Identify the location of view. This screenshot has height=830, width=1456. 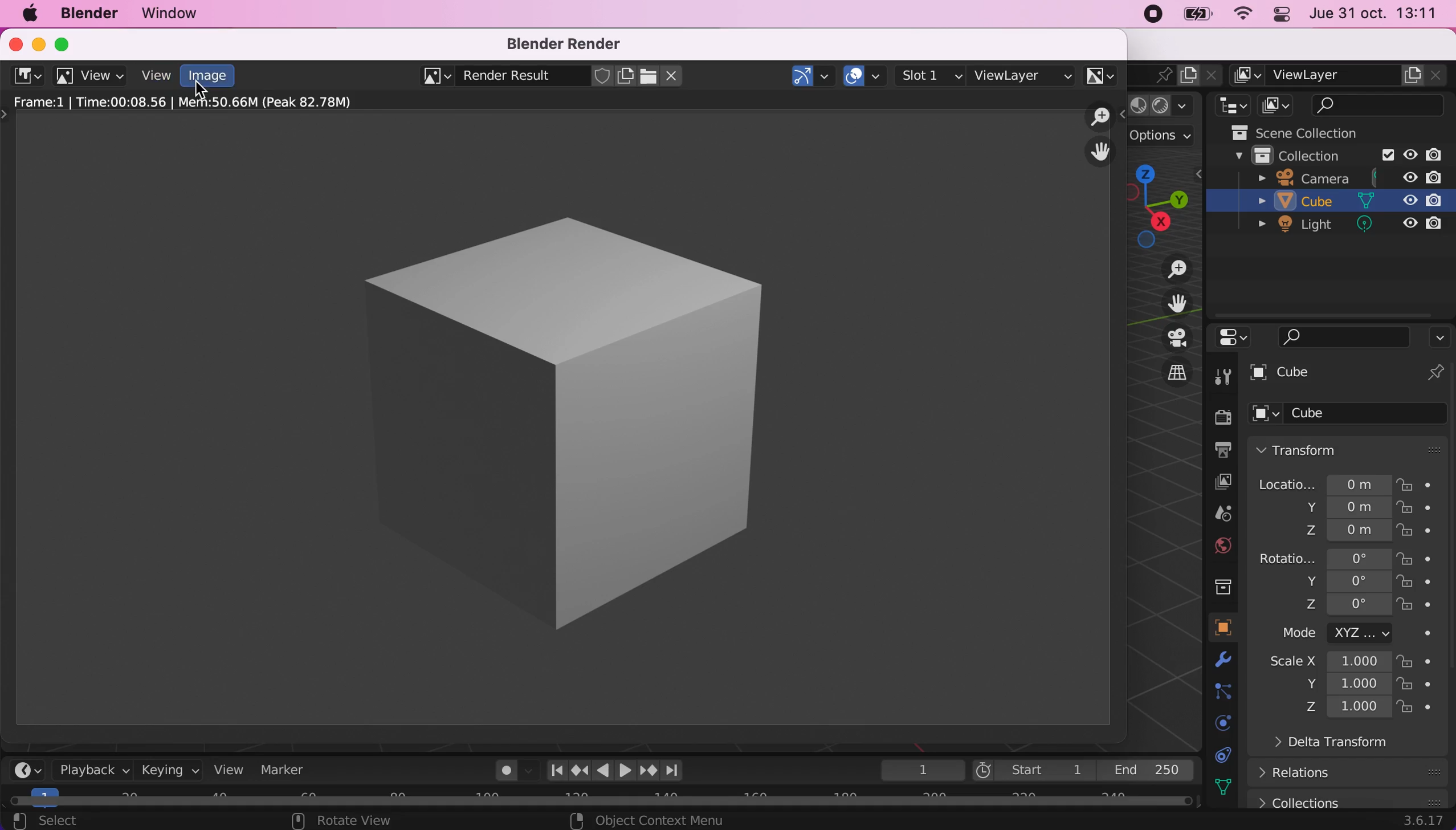
(92, 76).